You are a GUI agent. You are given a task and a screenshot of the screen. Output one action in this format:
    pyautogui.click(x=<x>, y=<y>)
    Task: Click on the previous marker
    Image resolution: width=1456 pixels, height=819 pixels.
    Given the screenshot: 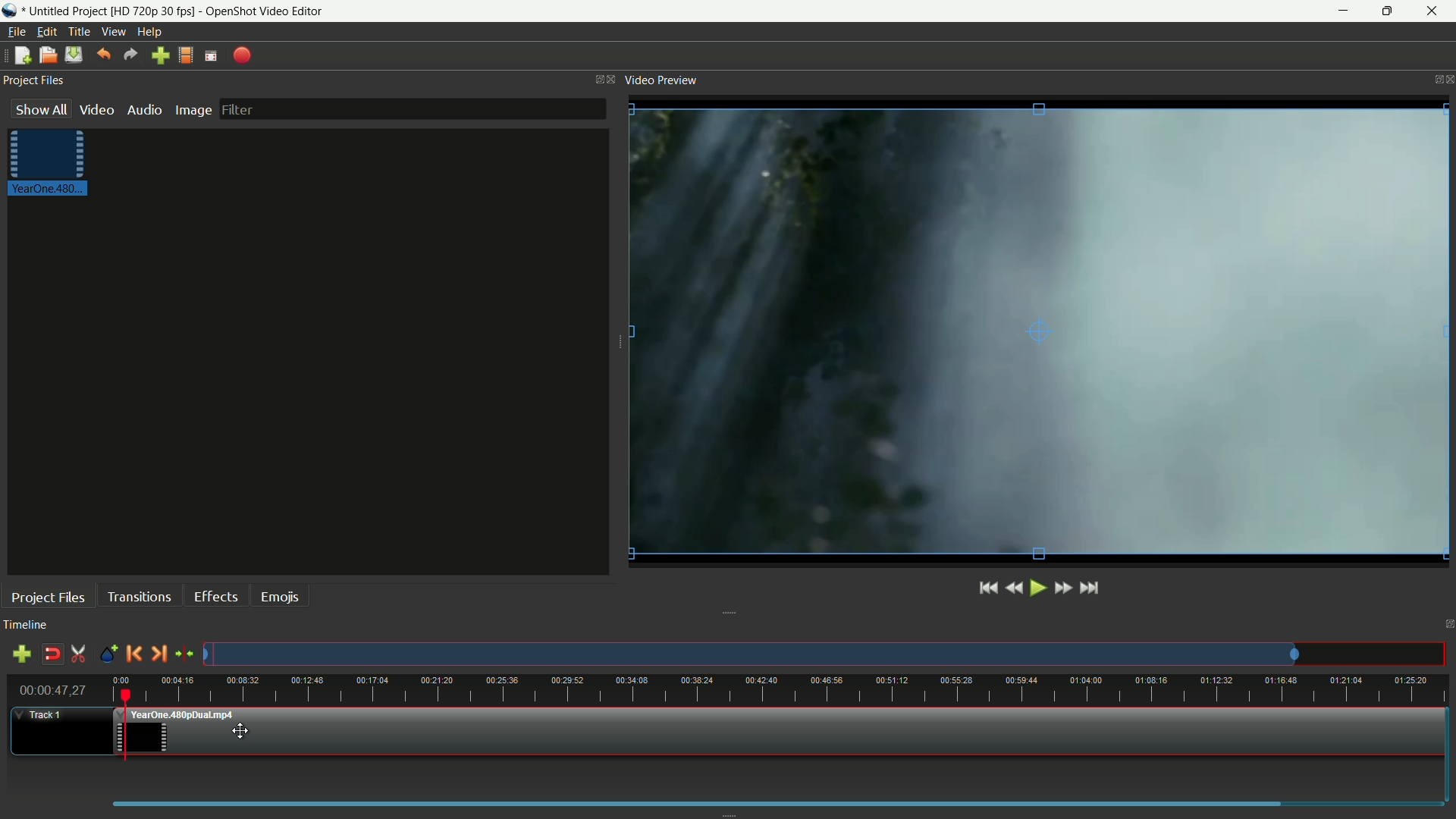 What is the action you would take?
    pyautogui.click(x=133, y=654)
    